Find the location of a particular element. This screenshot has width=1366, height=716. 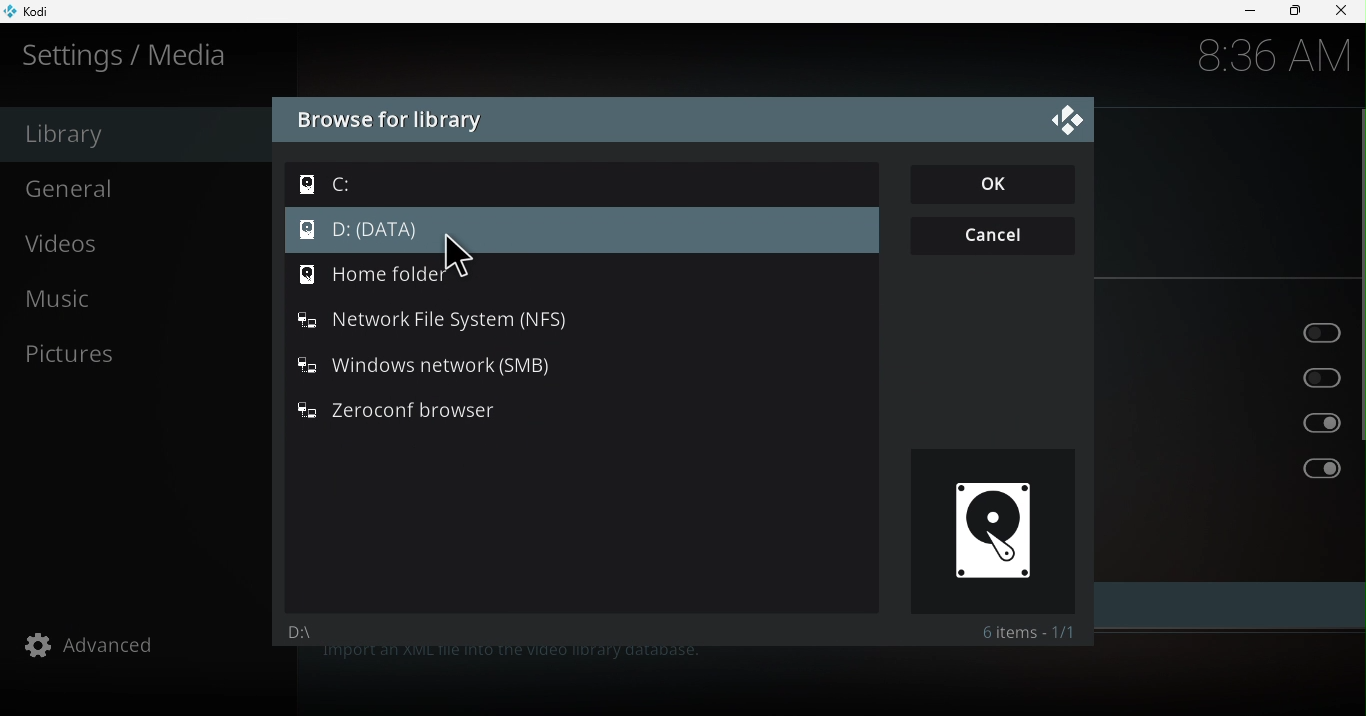

Hide progress of library updates is located at coordinates (1233, 376).